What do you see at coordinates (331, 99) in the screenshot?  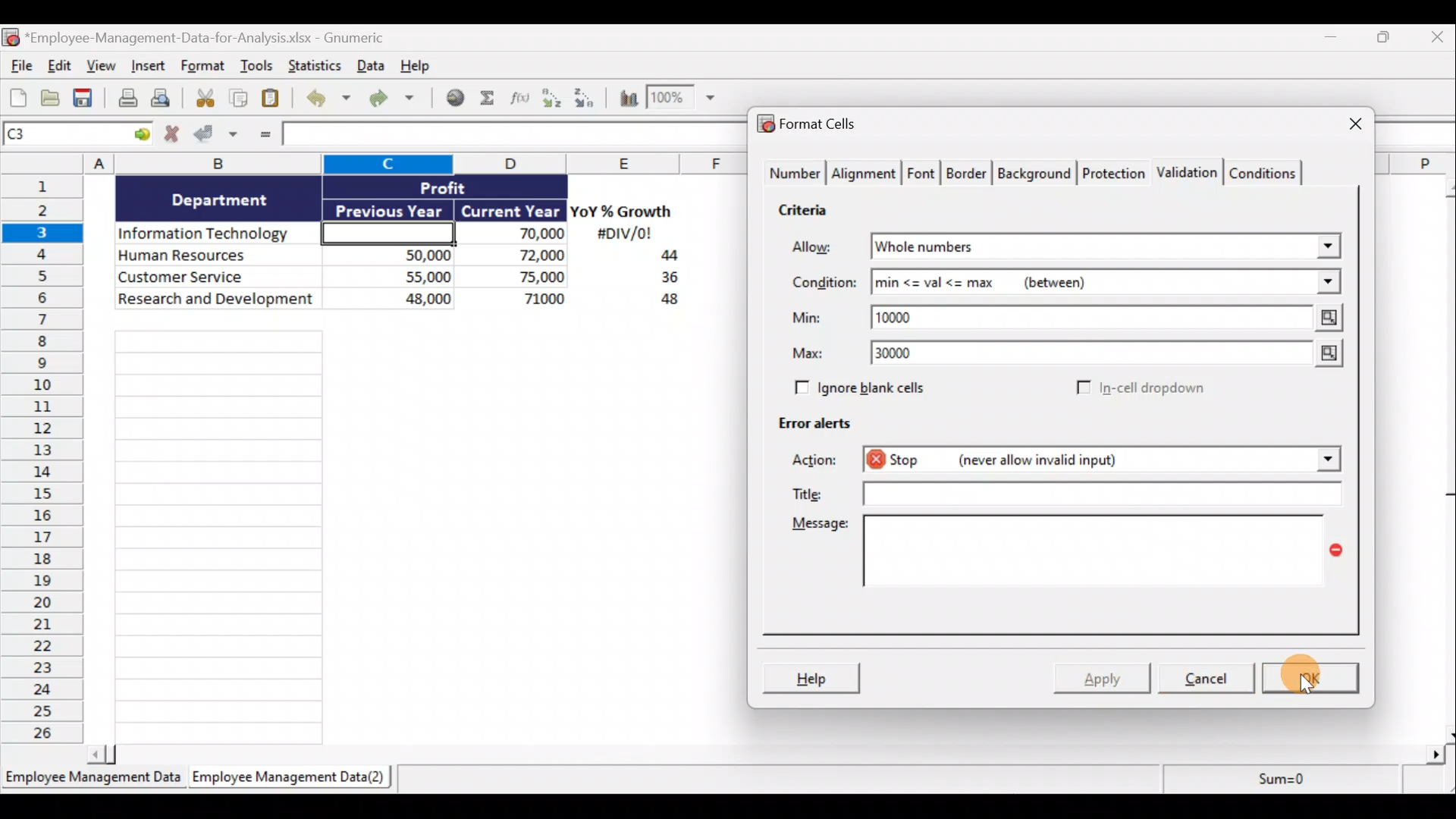 I see `Undo last action` at bounding box center [331, 99].